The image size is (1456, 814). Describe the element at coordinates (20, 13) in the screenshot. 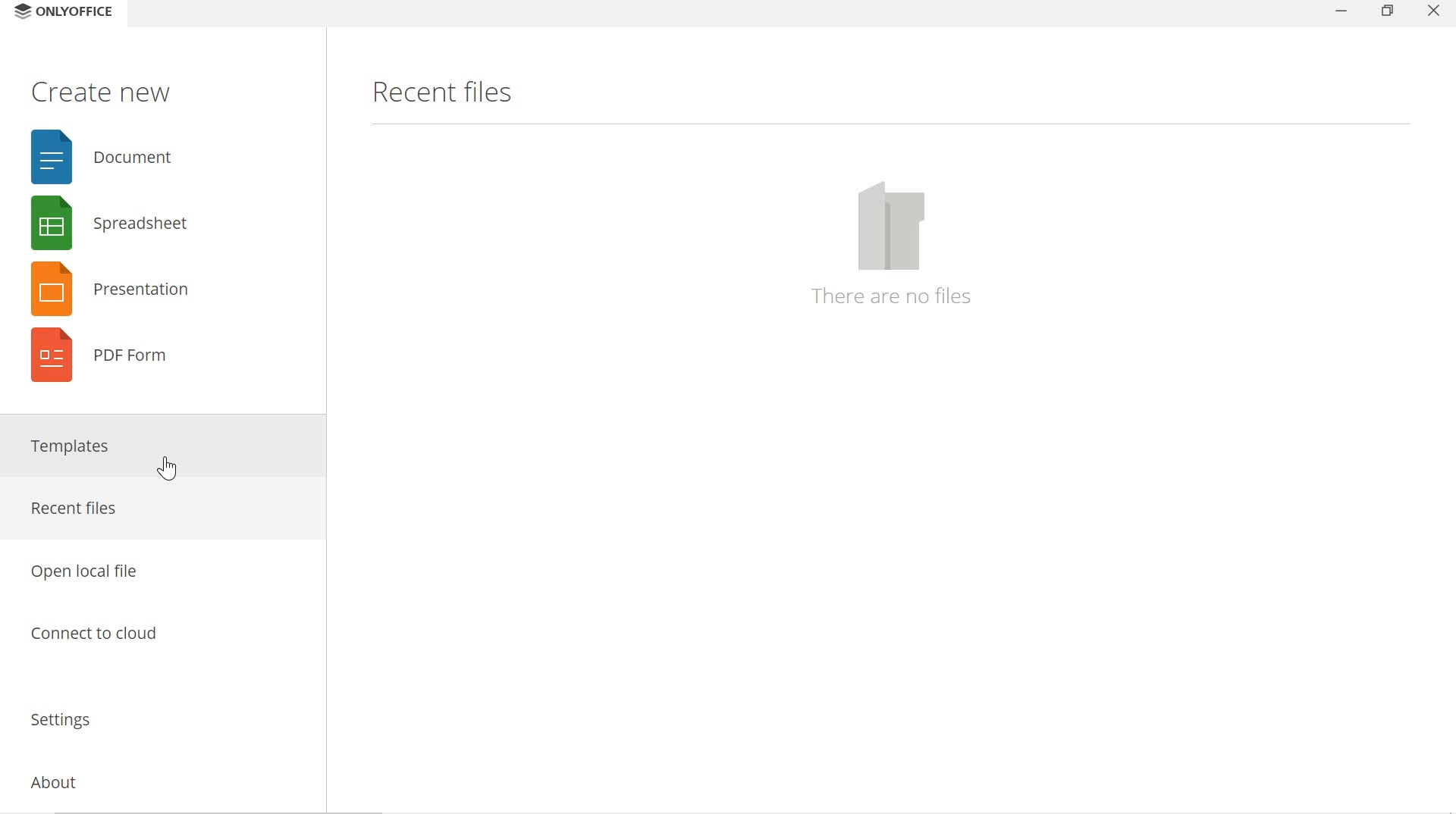

I see `ONLYOFFICE logo` at that location.